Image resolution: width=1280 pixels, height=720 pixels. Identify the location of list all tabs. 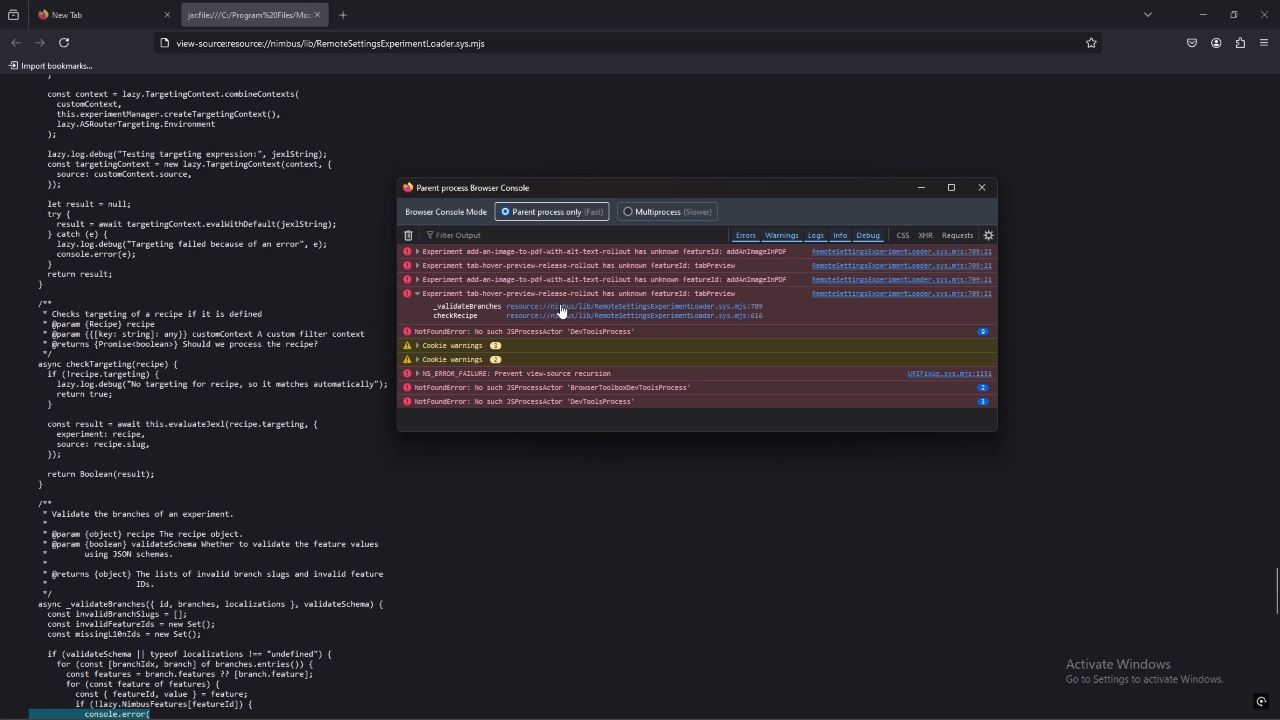
(1150, 16).